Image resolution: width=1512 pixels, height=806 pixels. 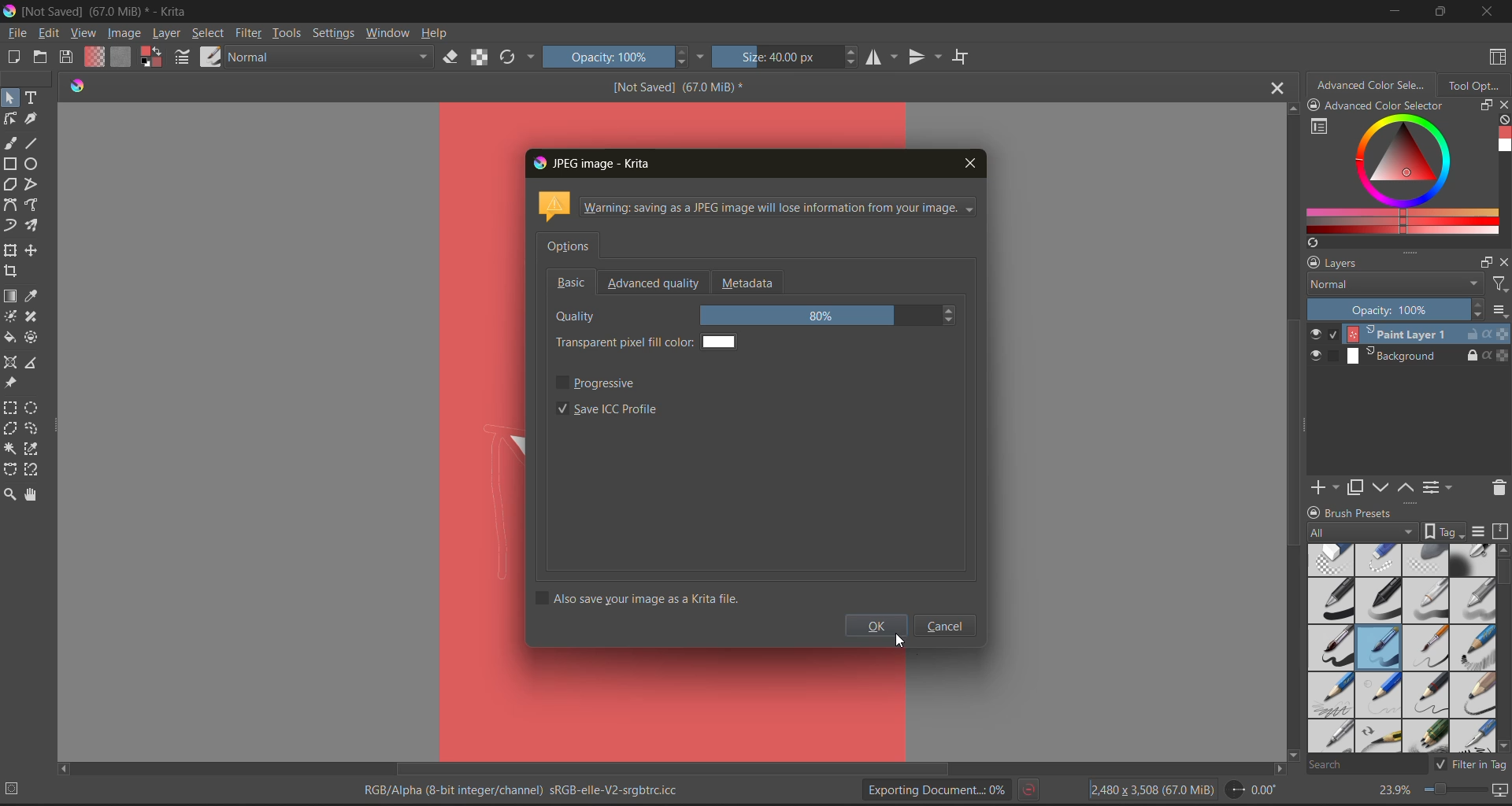 I want to click on zoom, so click(x=1458, y=791).